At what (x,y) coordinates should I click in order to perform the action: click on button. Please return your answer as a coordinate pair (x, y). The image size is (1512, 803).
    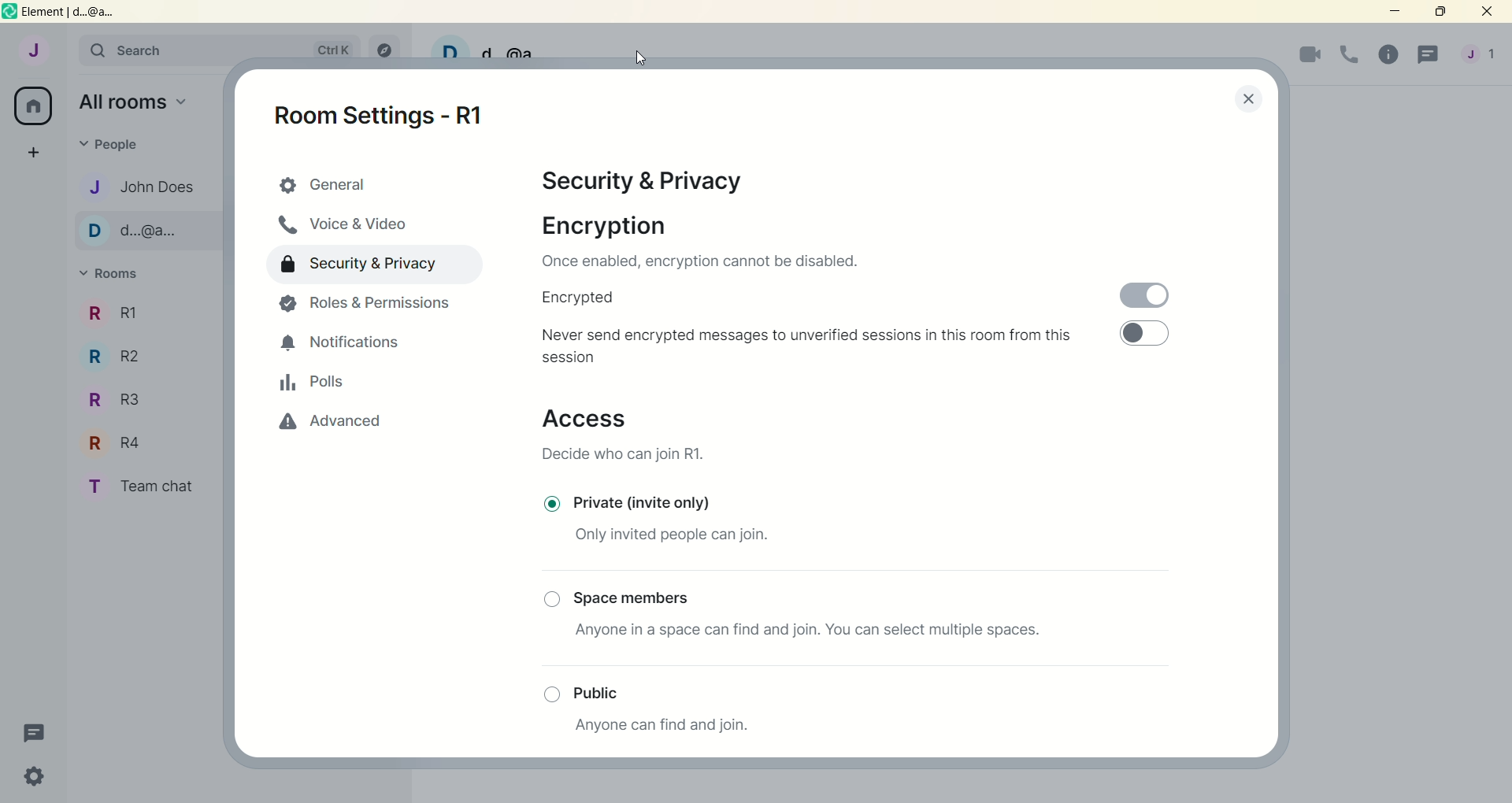
    Looking at the image, I should click on (550, 598).